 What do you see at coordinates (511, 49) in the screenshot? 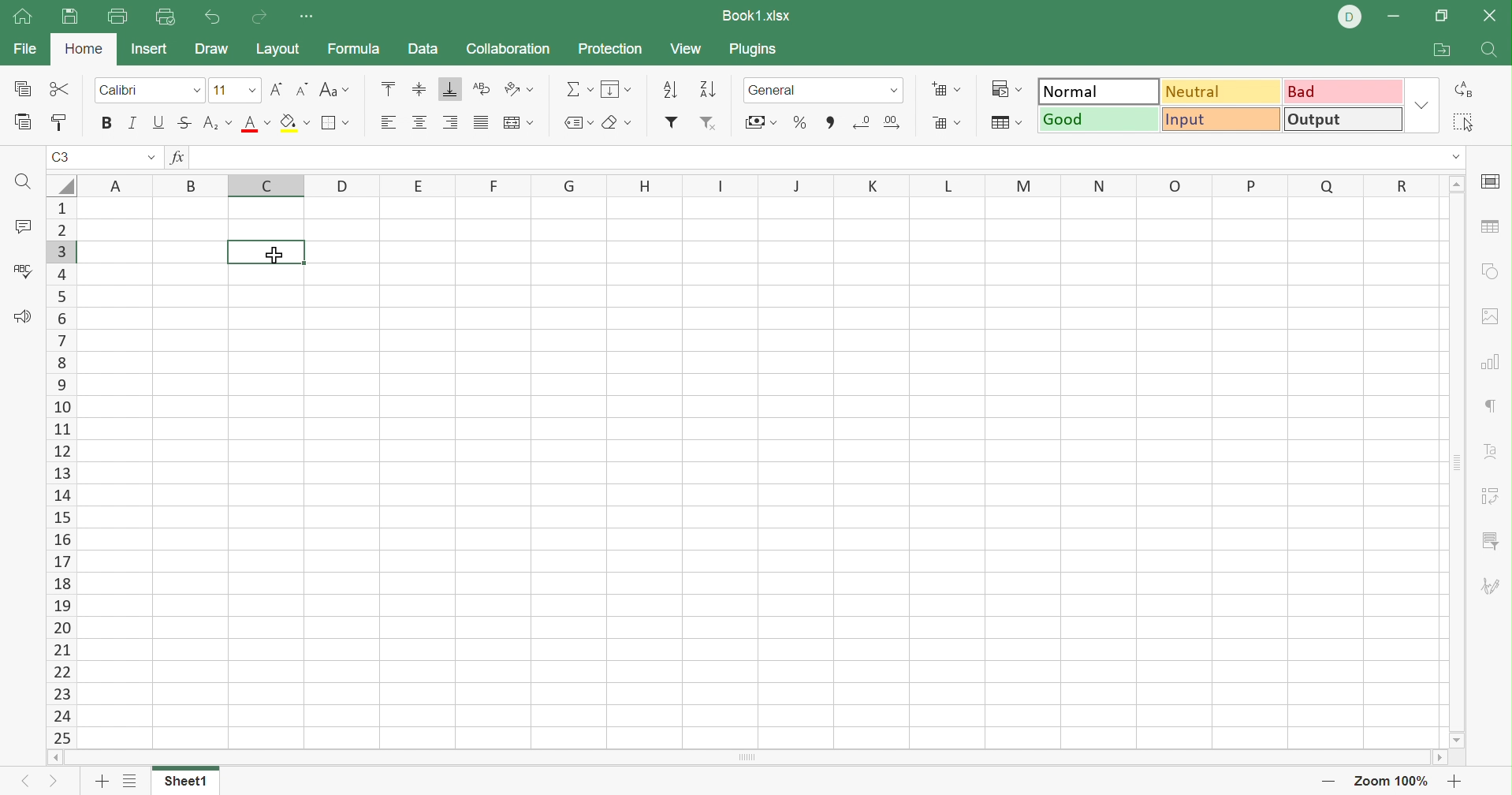
I see `Collaboration` at bounding box center [511, 49].